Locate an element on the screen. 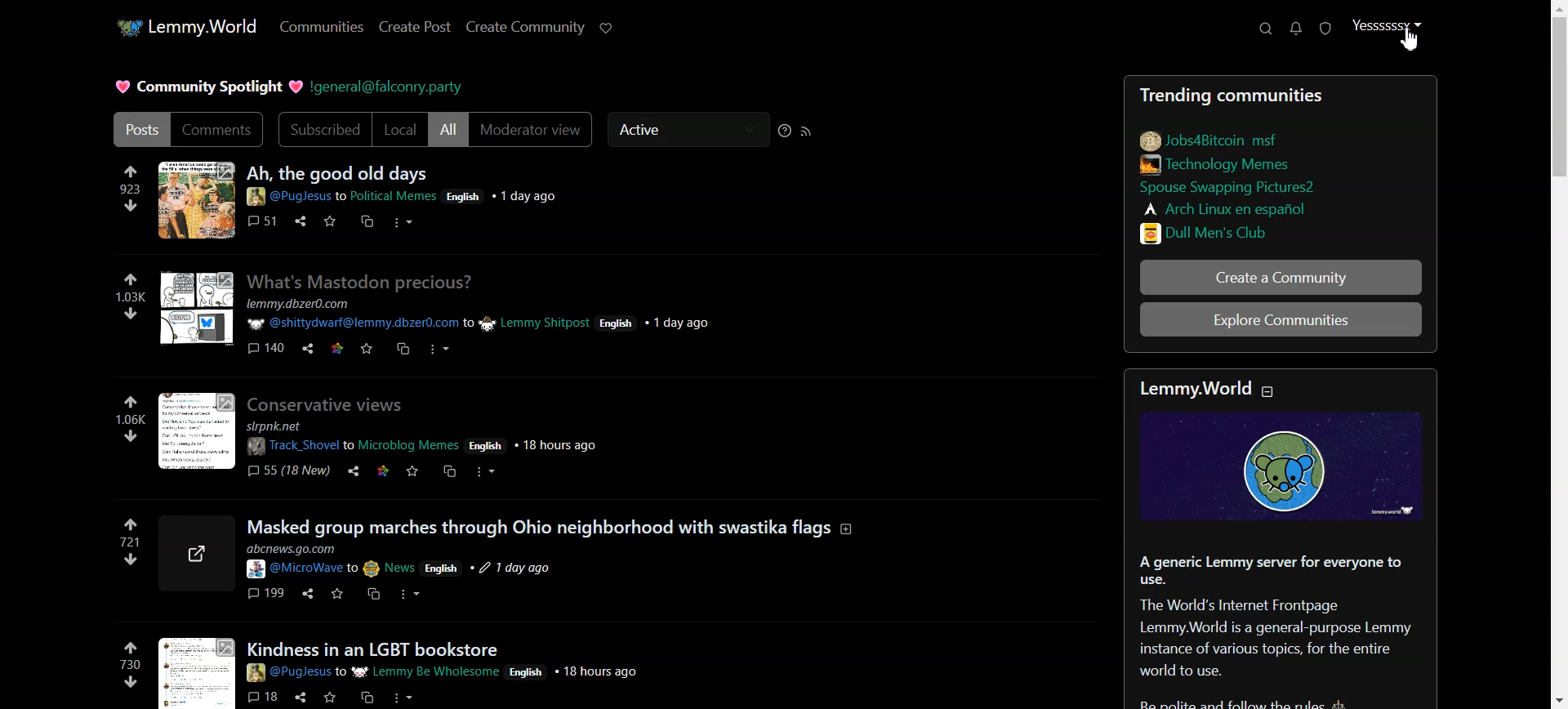 Image resolution: width=1568 pixels, height=709 pixels. Explore Community is located at coordinates (1279, 321).